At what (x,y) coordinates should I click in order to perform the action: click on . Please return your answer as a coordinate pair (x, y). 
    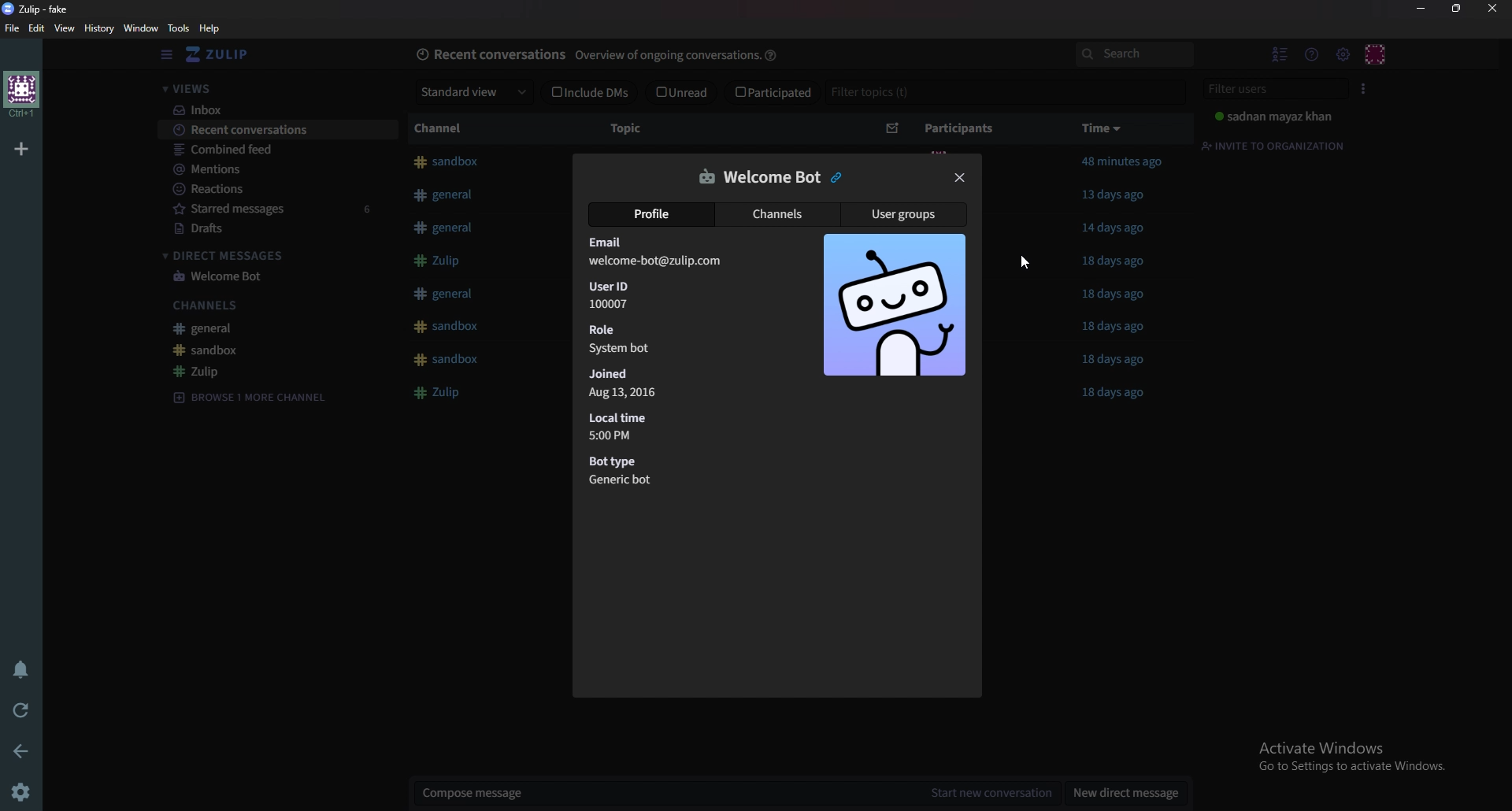
    Looking at the image, I should click on (1121, 163).